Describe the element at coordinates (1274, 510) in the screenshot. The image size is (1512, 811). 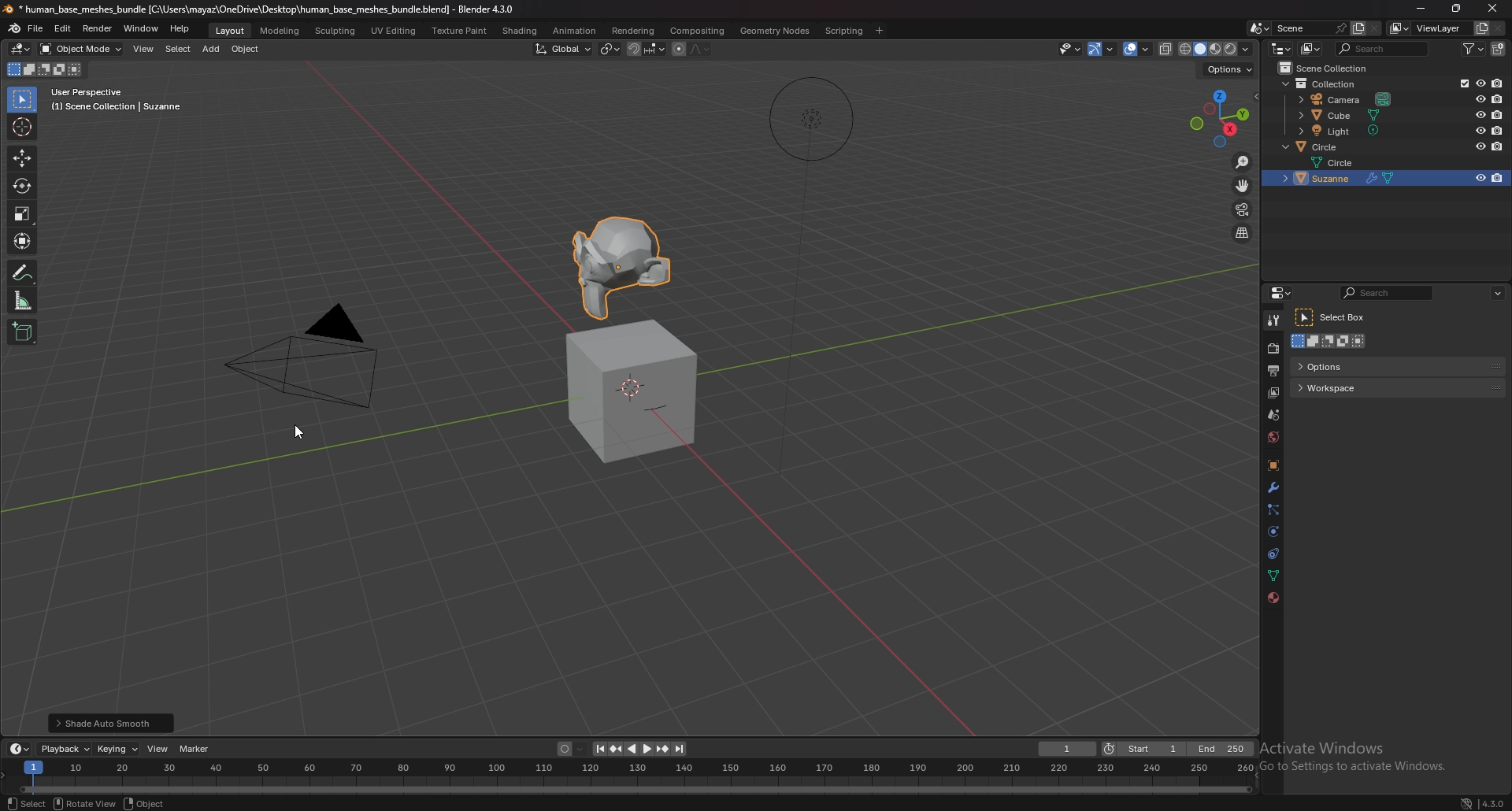
I see `particles` at that location.